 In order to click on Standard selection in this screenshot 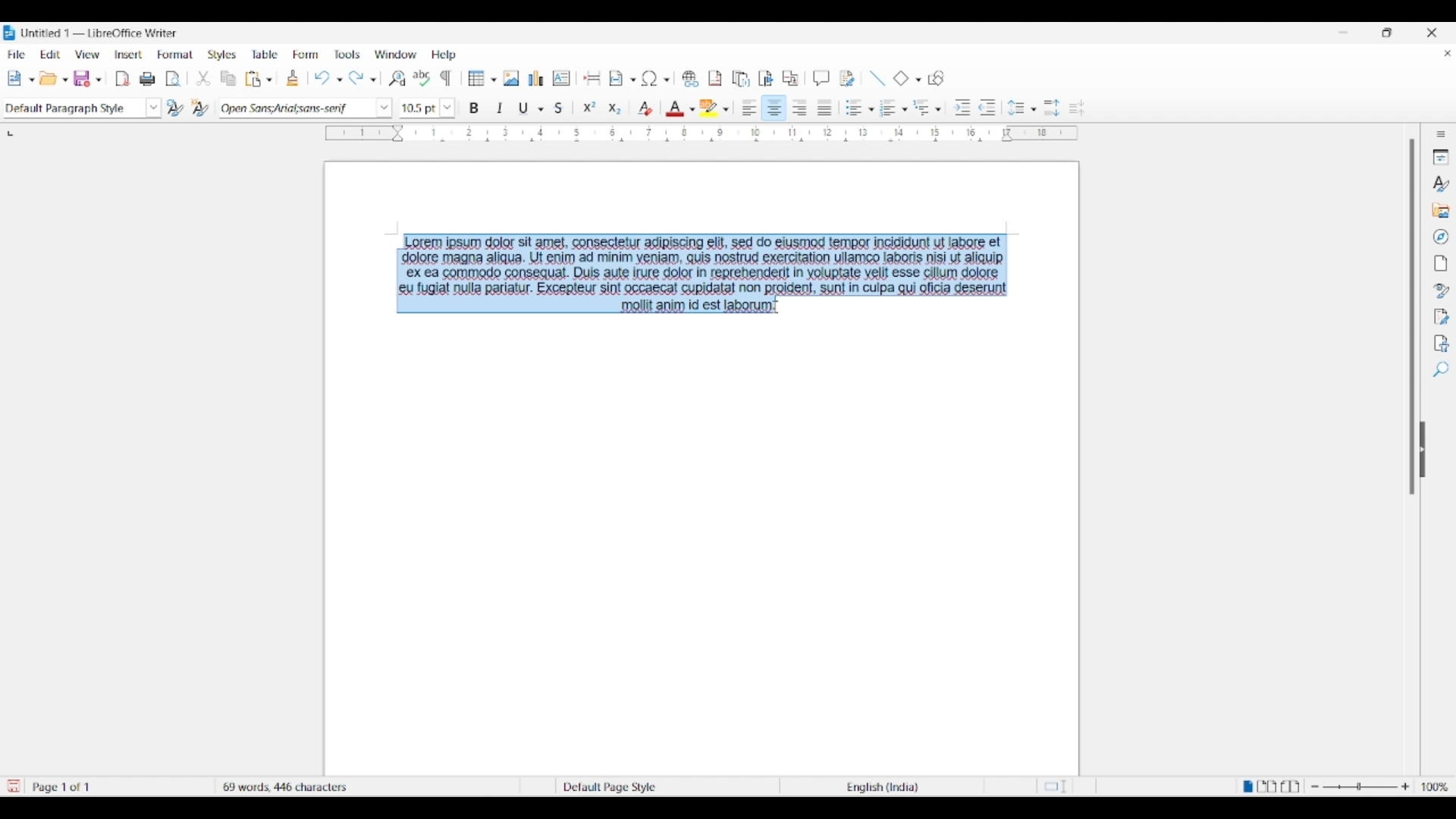, I will do `click(1059, 787)`.